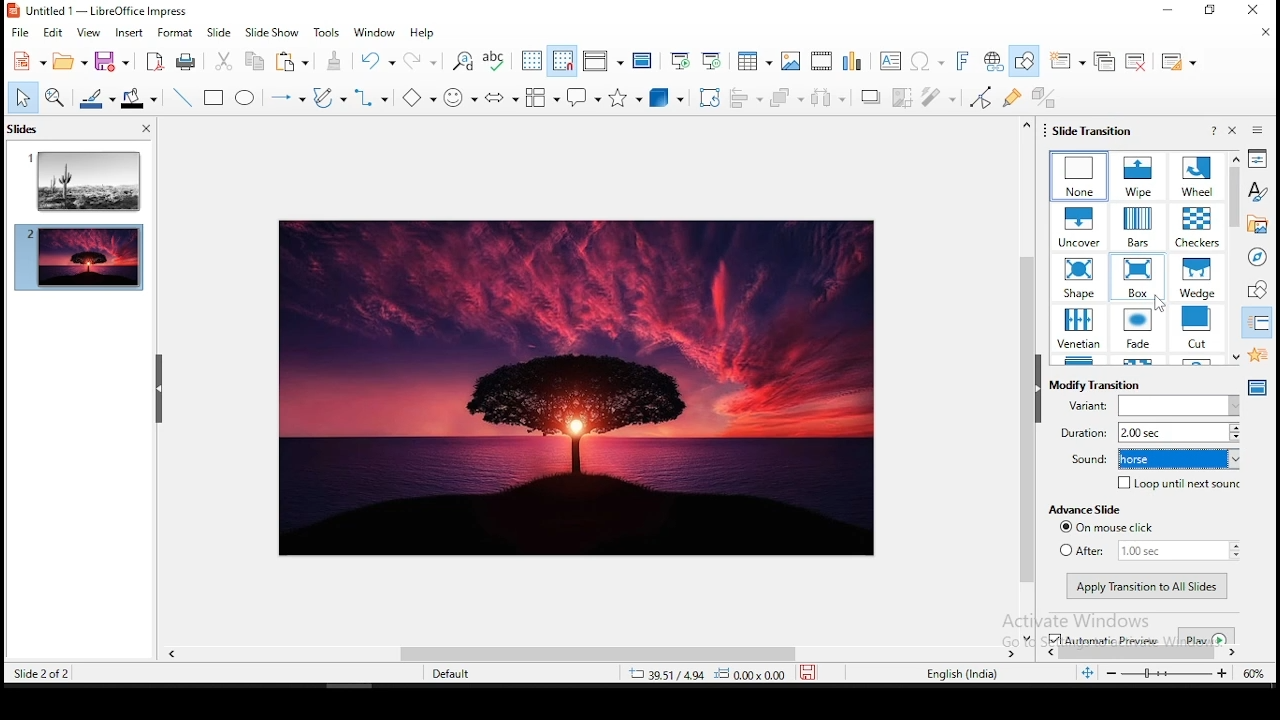 The width and height of the screenshot is (1280, 720). Describe the element at coordinates (1135, 226) in the screenshot. I see `transition effects` at that location.